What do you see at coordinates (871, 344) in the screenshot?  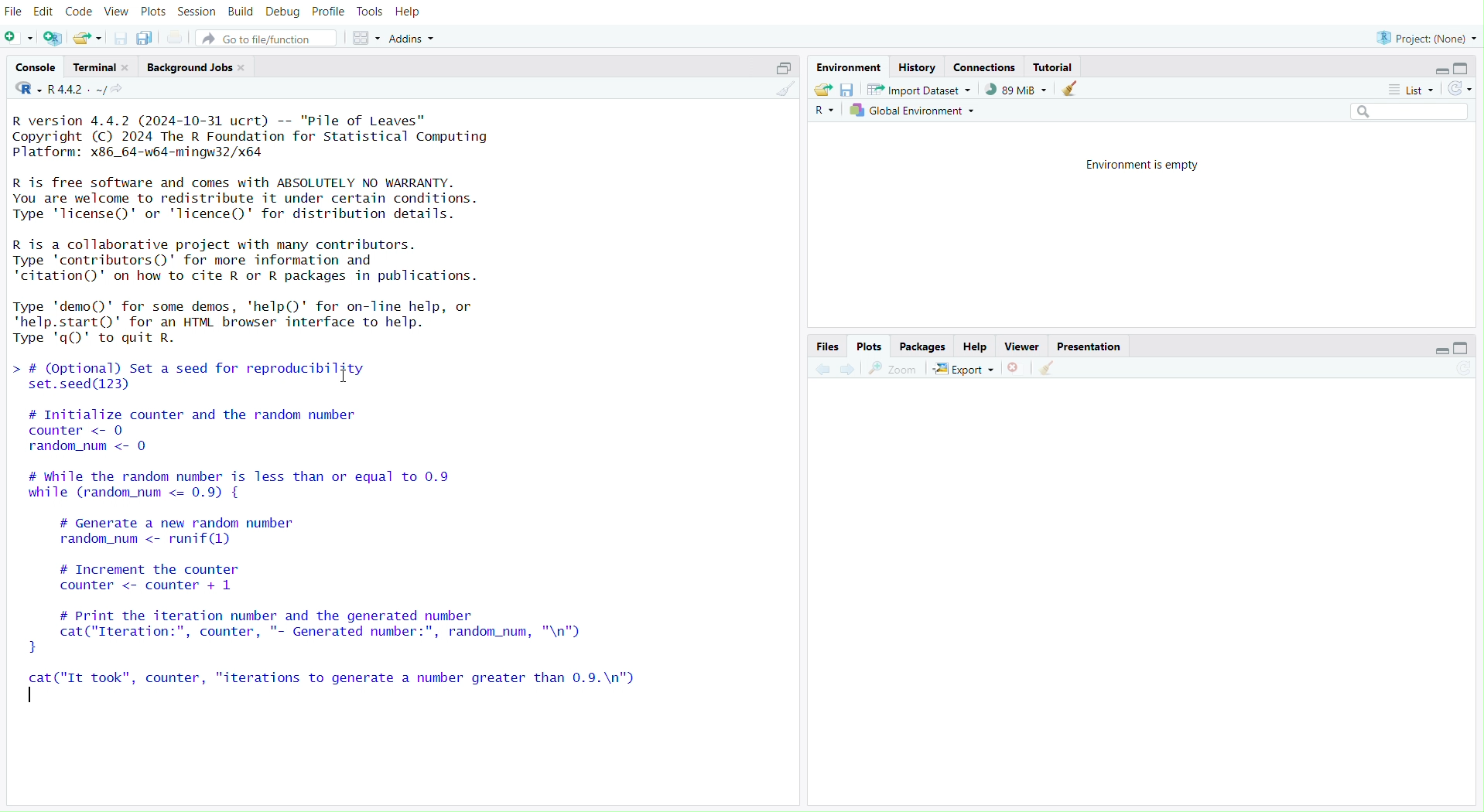 I see `Plots` at bounding box center [871, 344].